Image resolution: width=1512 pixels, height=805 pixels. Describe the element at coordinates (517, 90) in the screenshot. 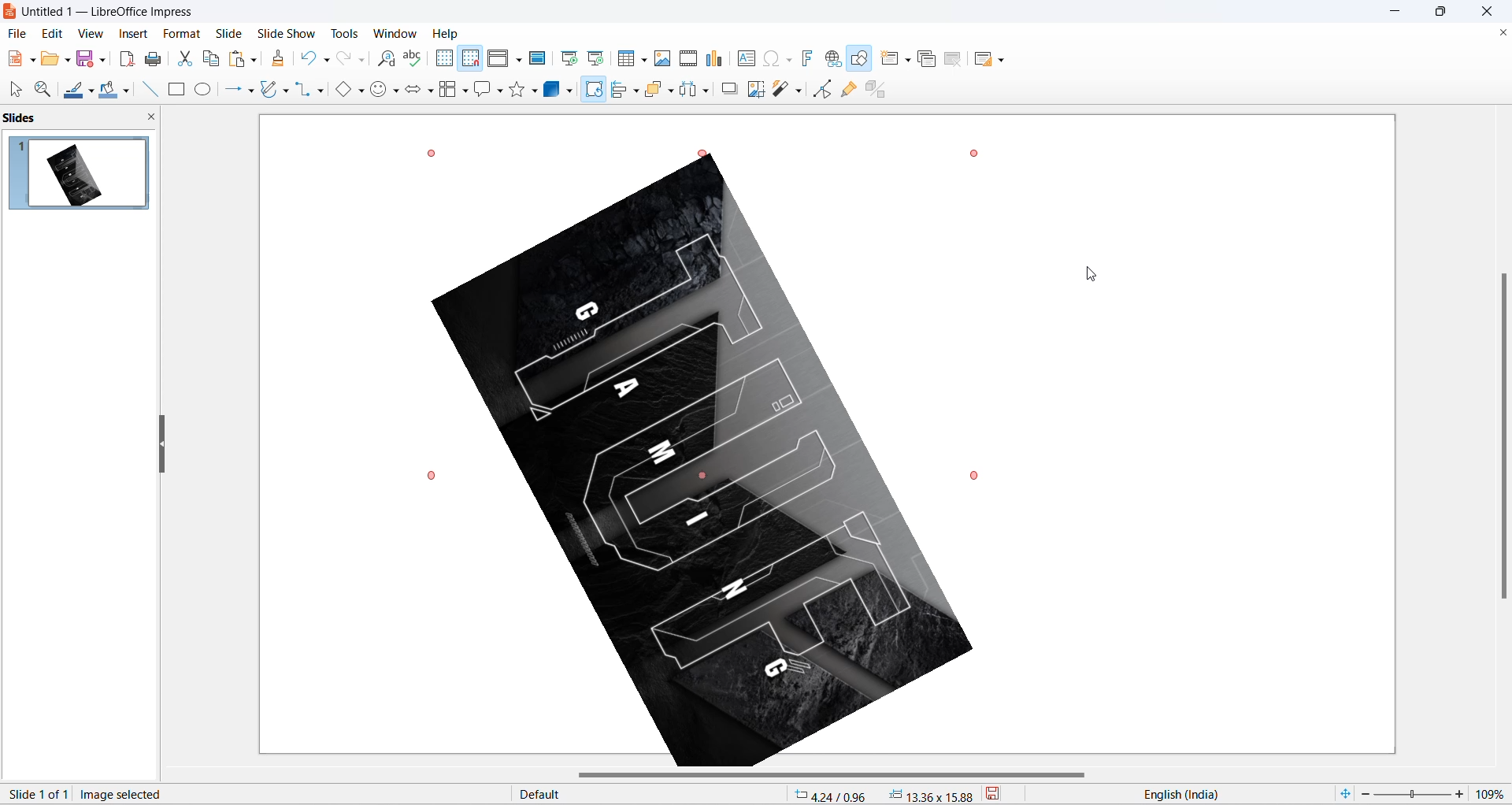

I see `star shape` at that location.